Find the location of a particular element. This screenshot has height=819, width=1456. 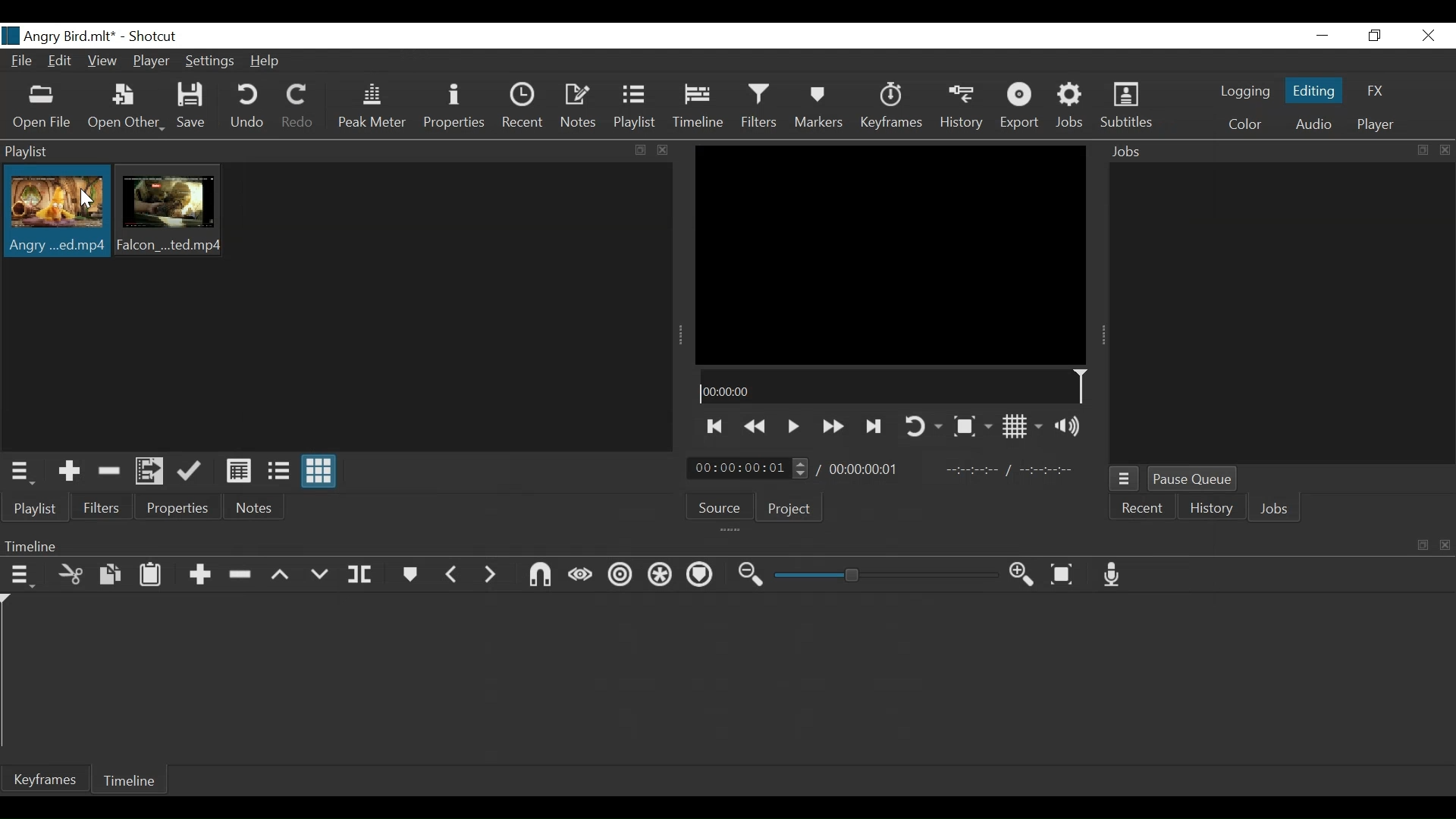

Snap is located at coordinates (538, 576).